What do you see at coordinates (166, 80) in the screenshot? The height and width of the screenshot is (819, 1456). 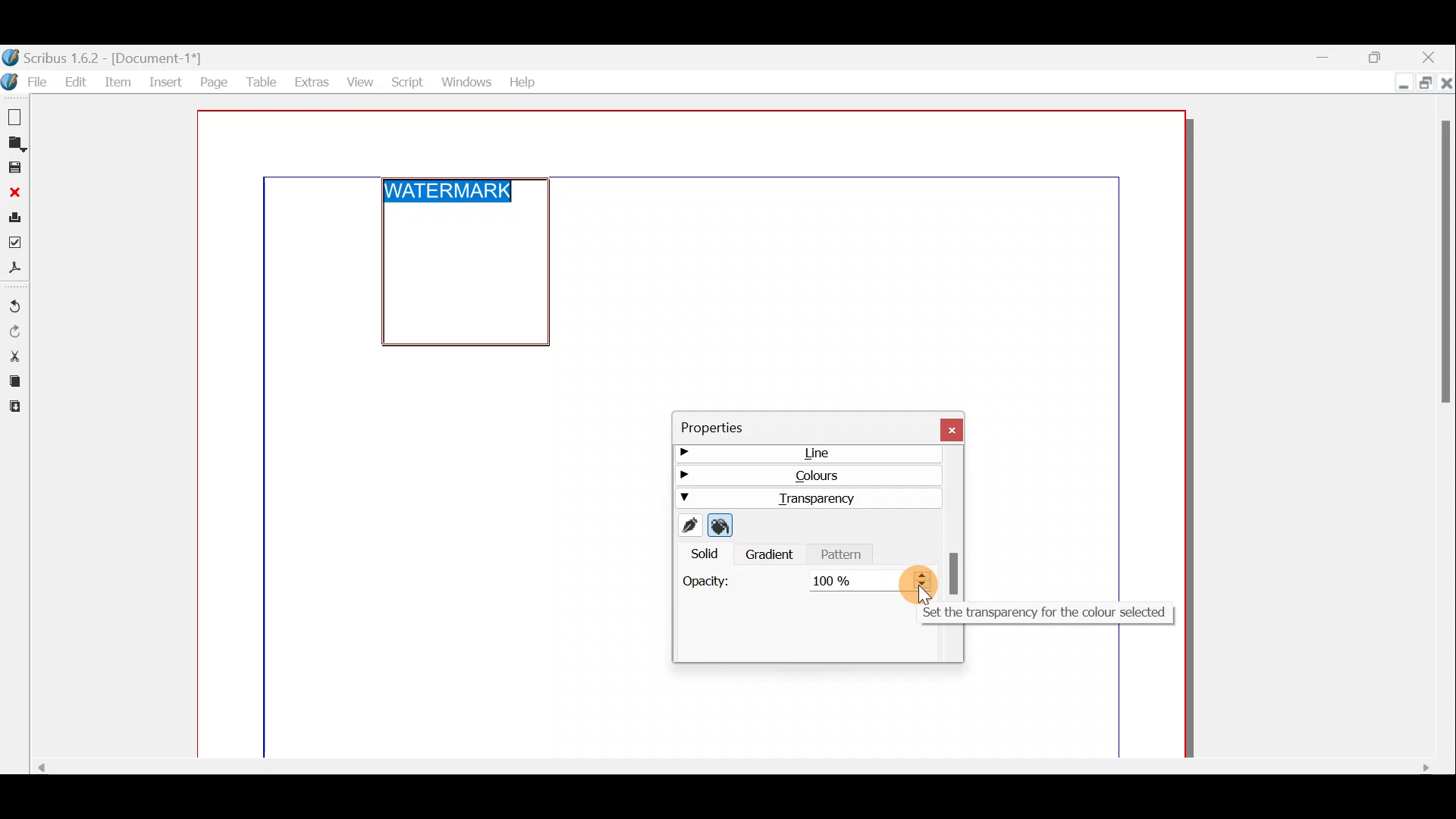 I see `Insert` at bounding box center [166, 80].